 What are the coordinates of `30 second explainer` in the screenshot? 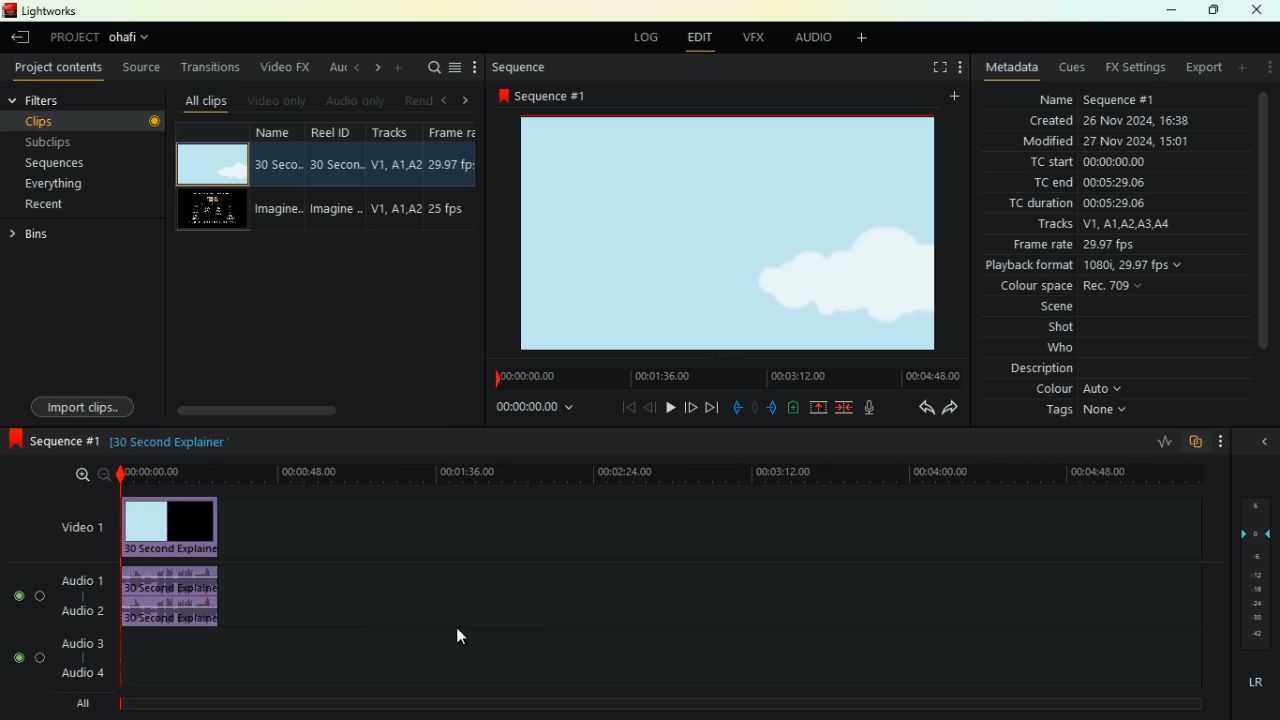 It's located at (171, 440).